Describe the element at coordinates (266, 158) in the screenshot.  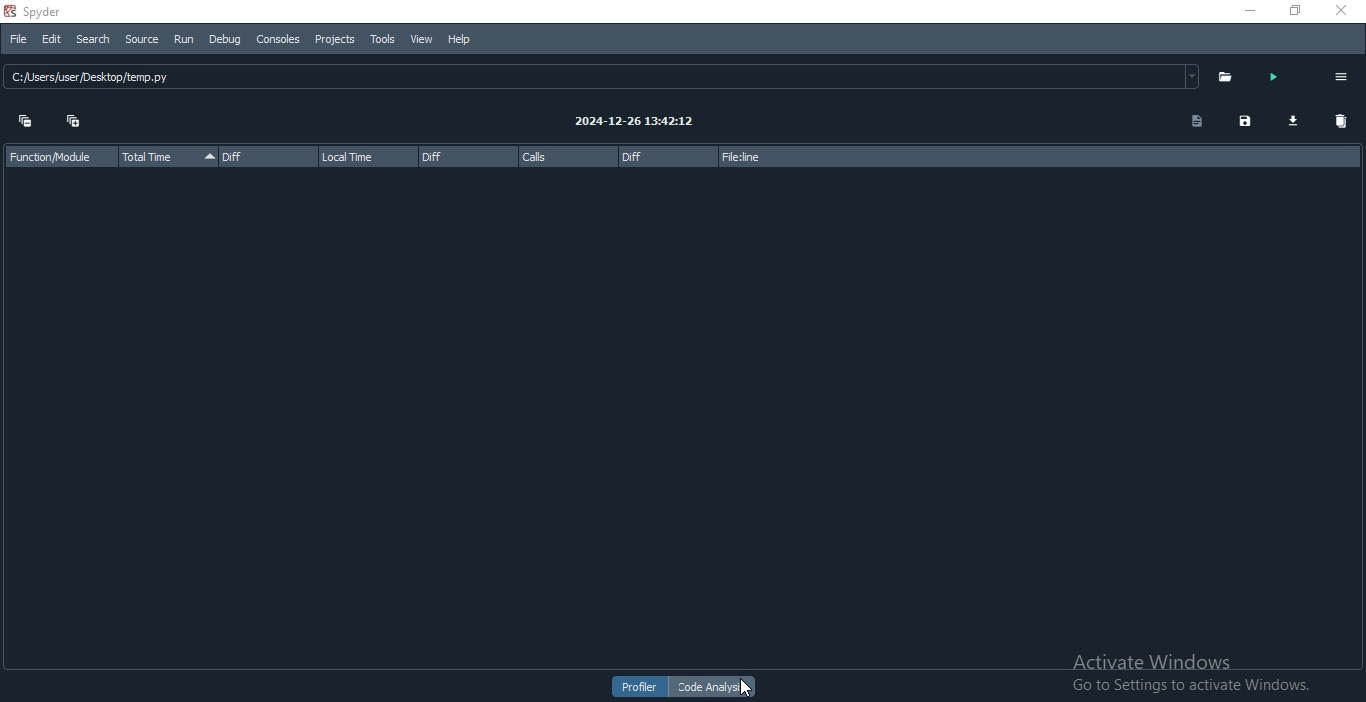
I see `diff` at that location.